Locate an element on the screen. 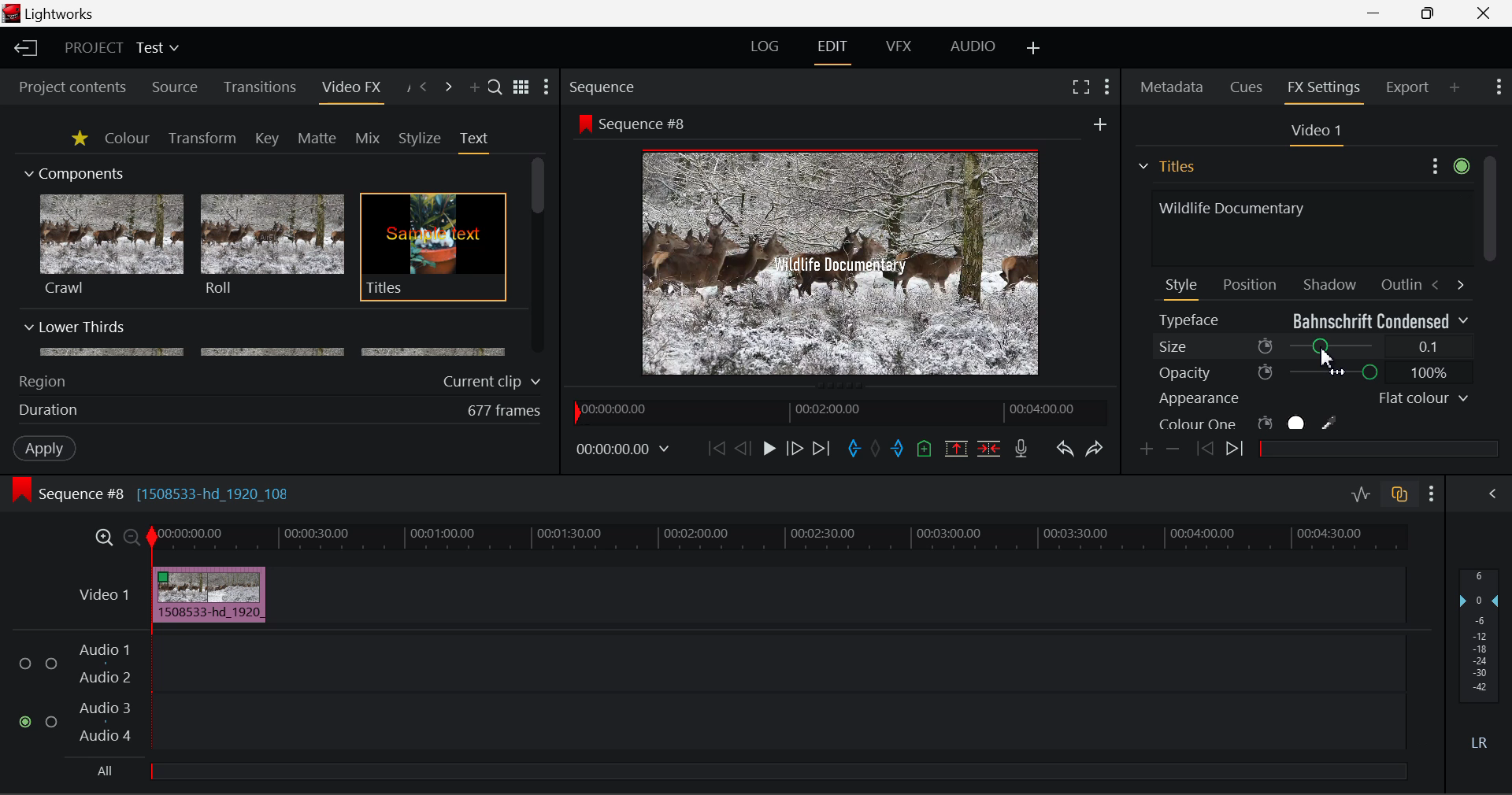 Image resolution: width=1512 pixels, height=795 pixels. checked checkbox is located at coordinates (28, 723).